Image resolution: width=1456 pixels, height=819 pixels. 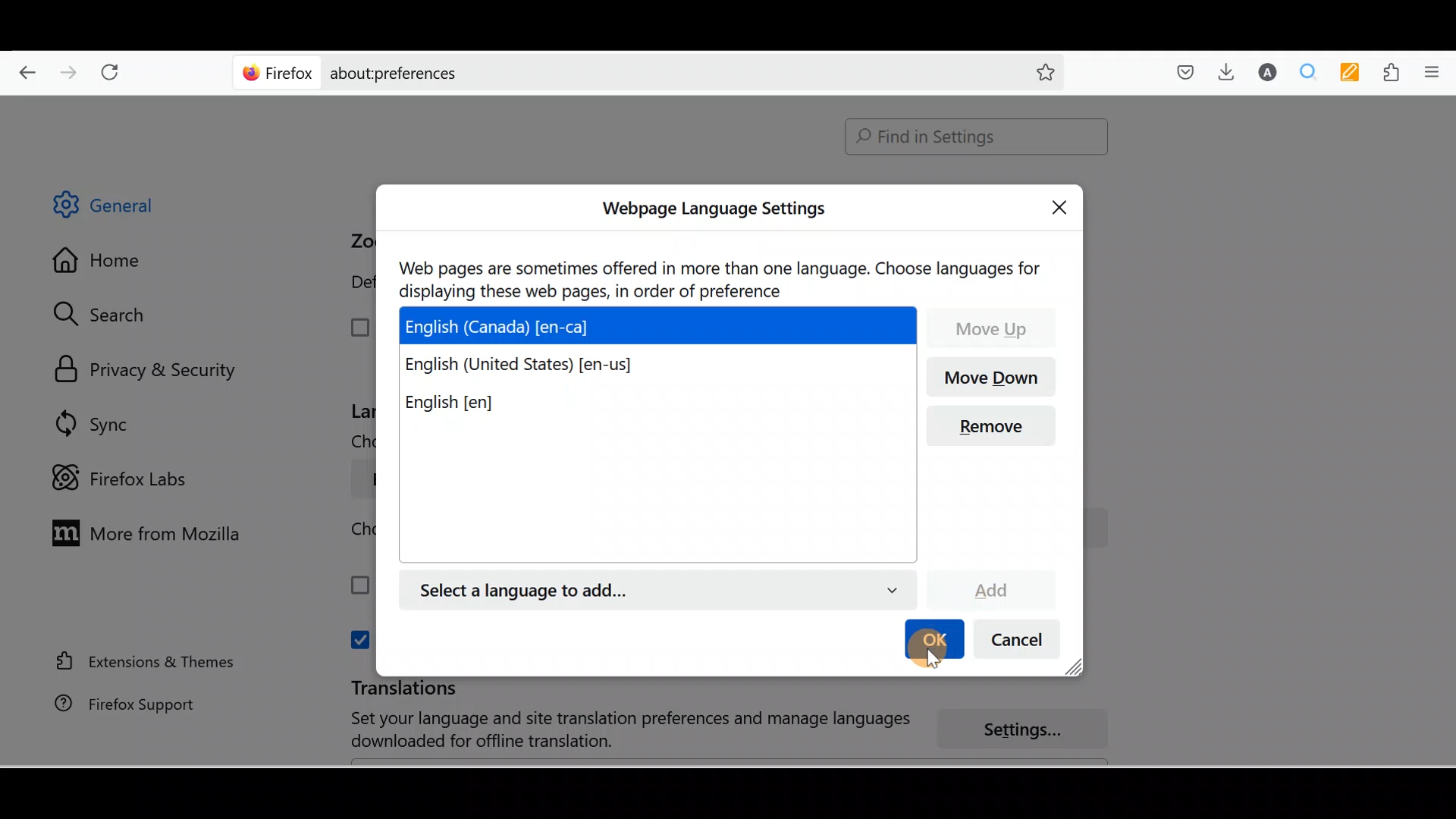 I want to click on Firefox labs, so click(x=124, y=479).